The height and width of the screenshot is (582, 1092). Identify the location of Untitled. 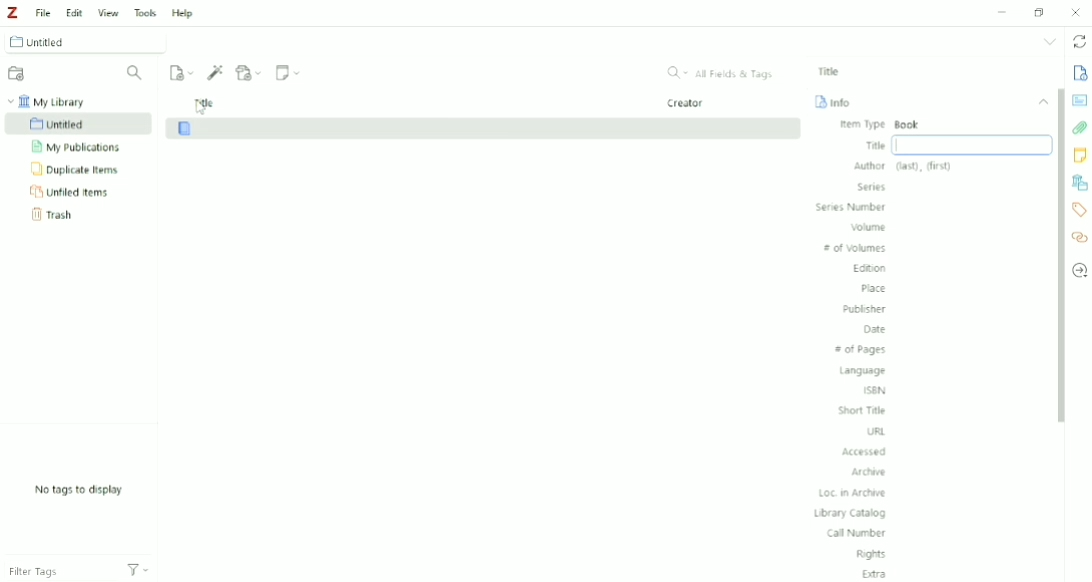
(89, 41).